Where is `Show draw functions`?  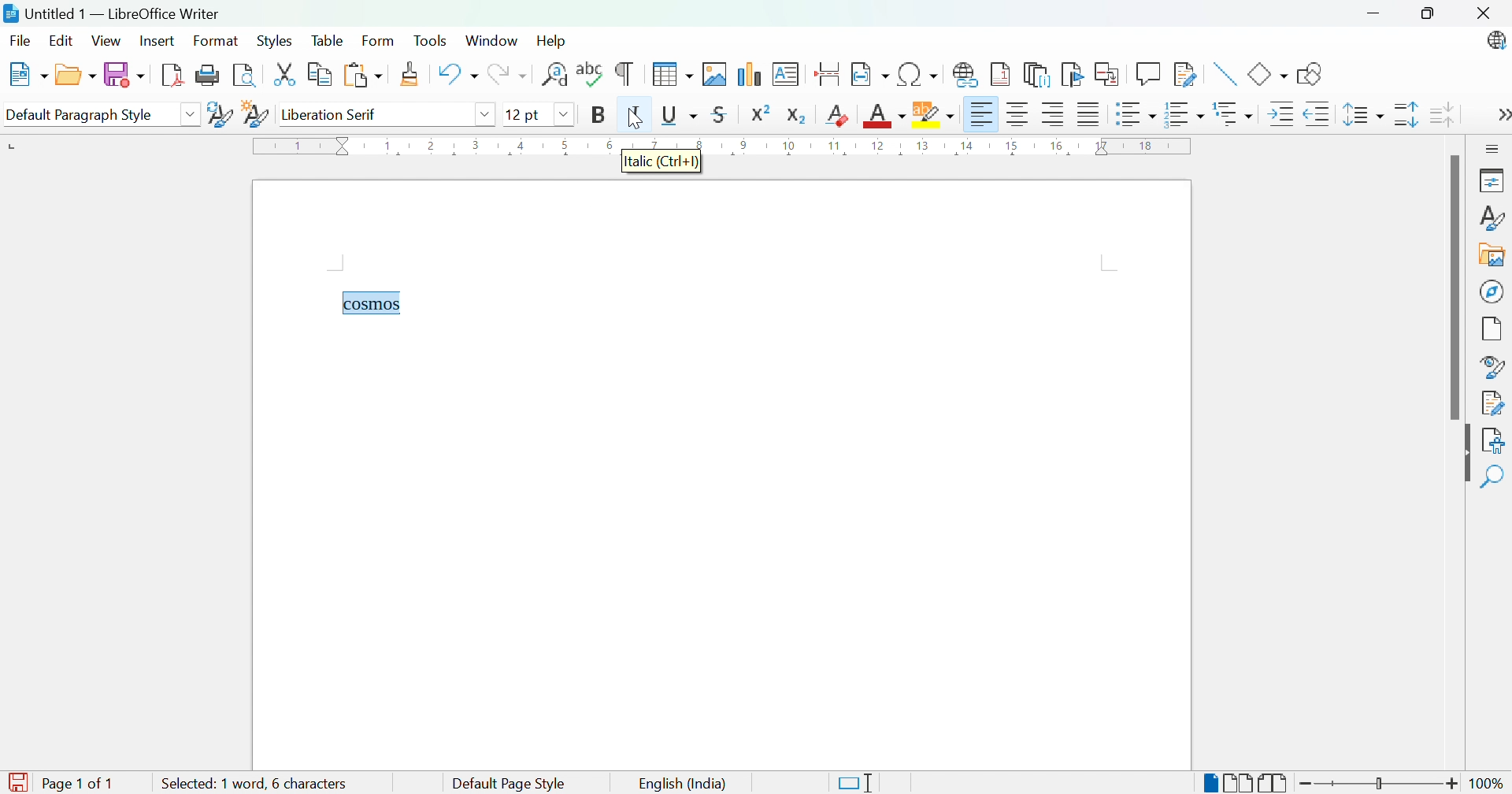
Show draw functions is located at coordinates (1314, 75).